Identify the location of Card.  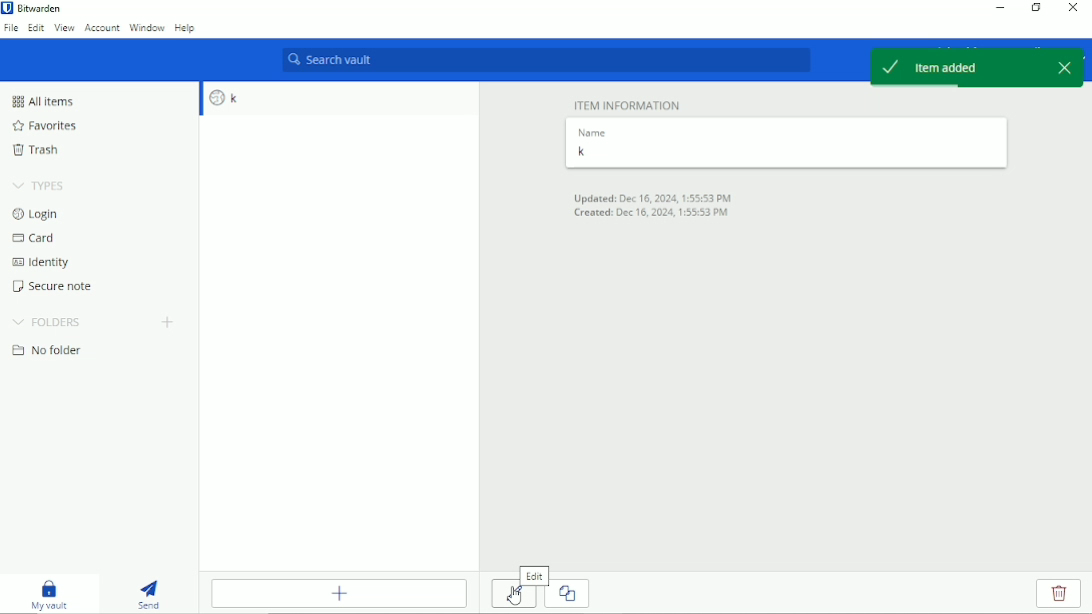
(35, 238).